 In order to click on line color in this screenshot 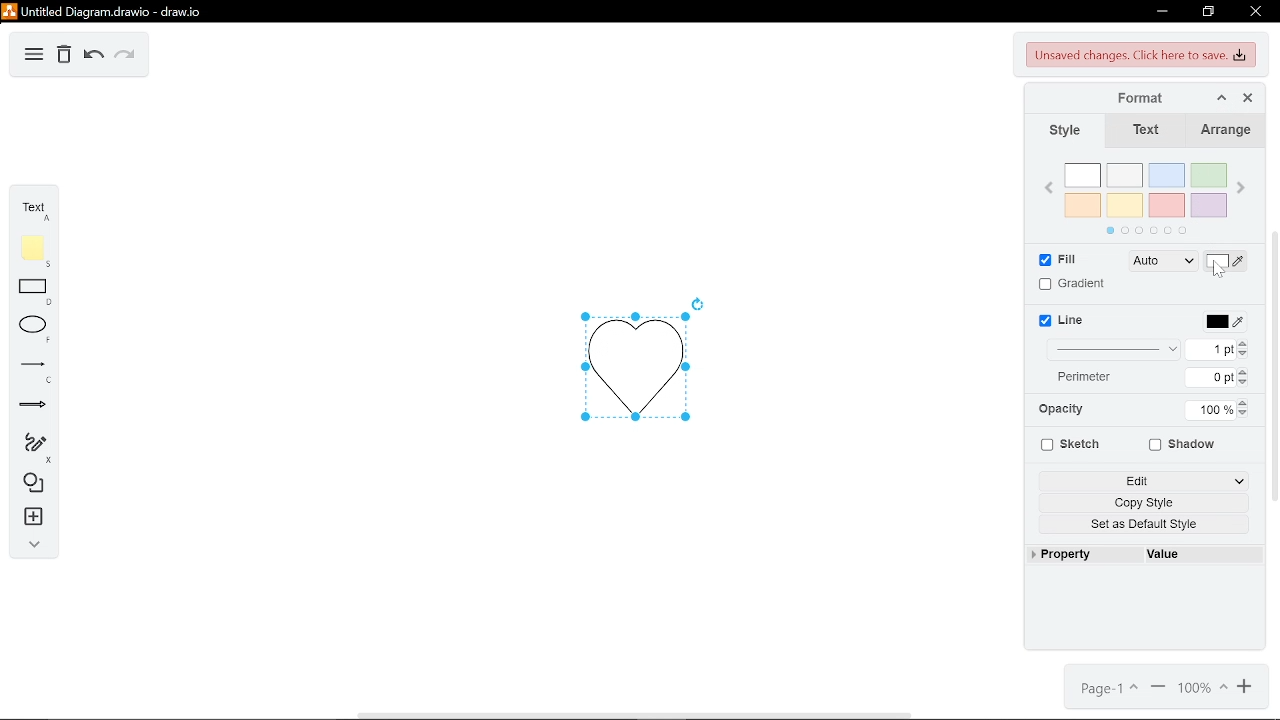, I will do `click(1223, 321)`.